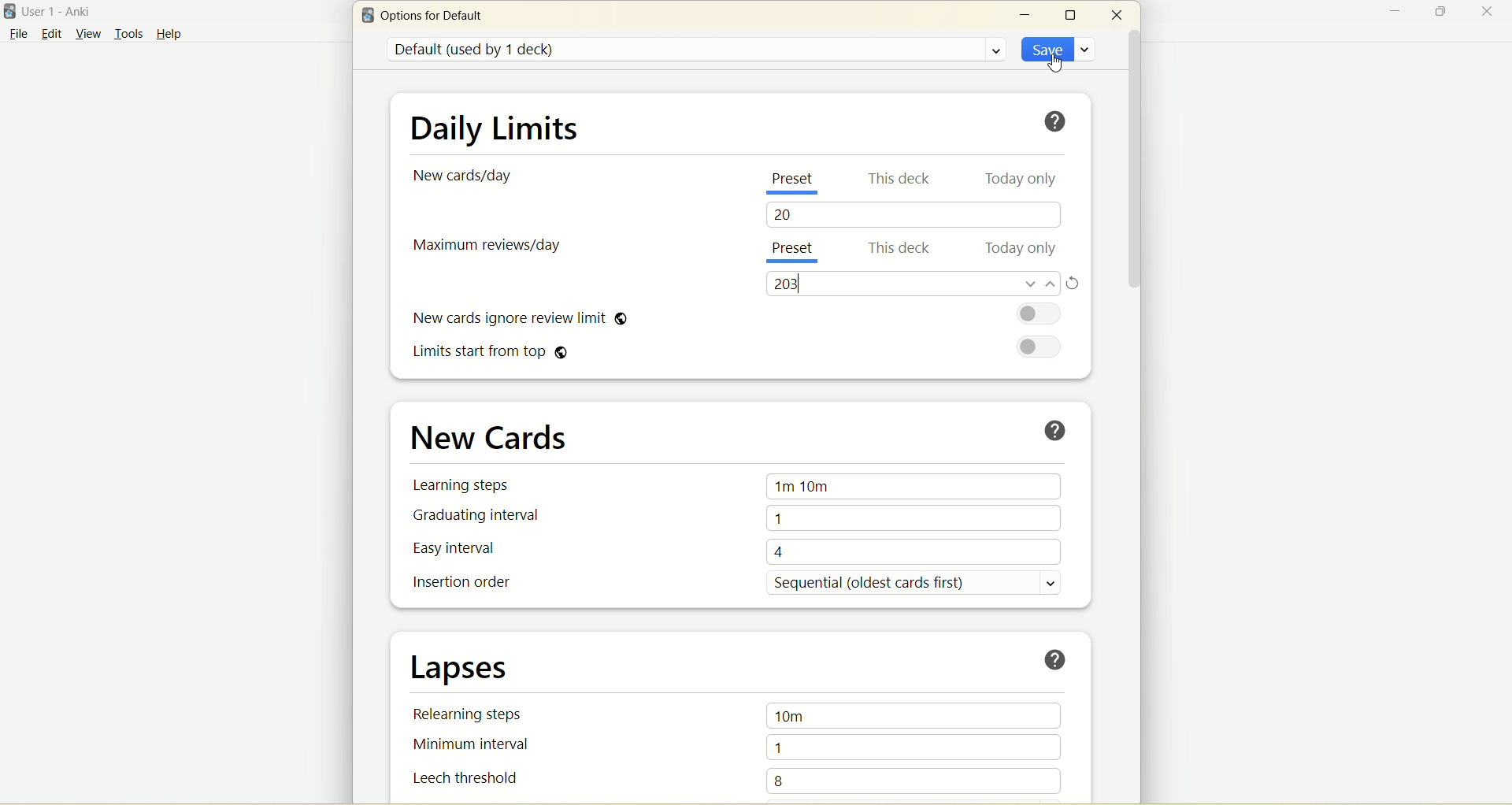  Describe the element at coordinates (920, 747) in the screenshot. I see `1` at that location.